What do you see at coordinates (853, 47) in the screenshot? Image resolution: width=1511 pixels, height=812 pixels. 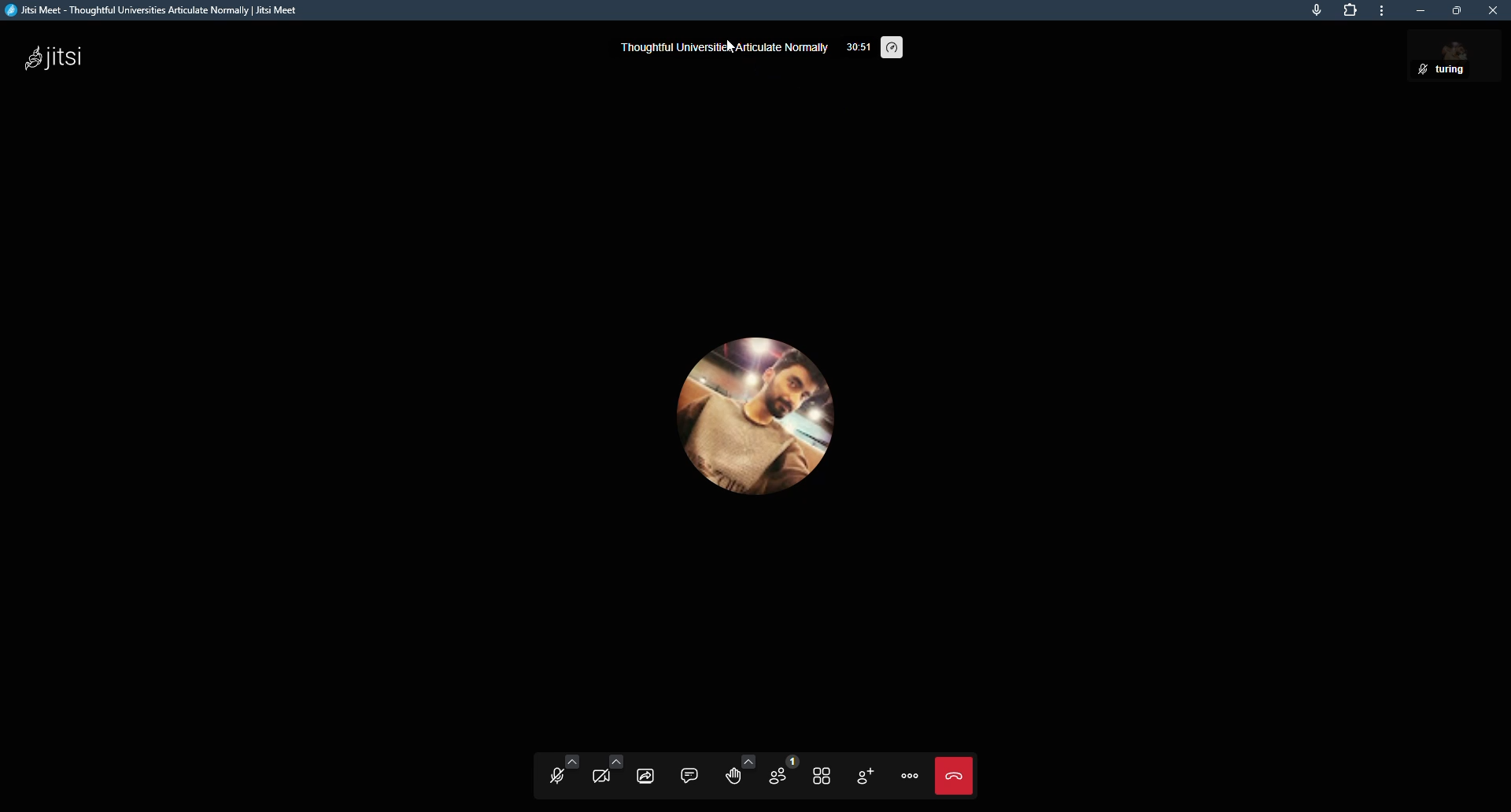 I see `33:59` at bounding box center [853, 47].